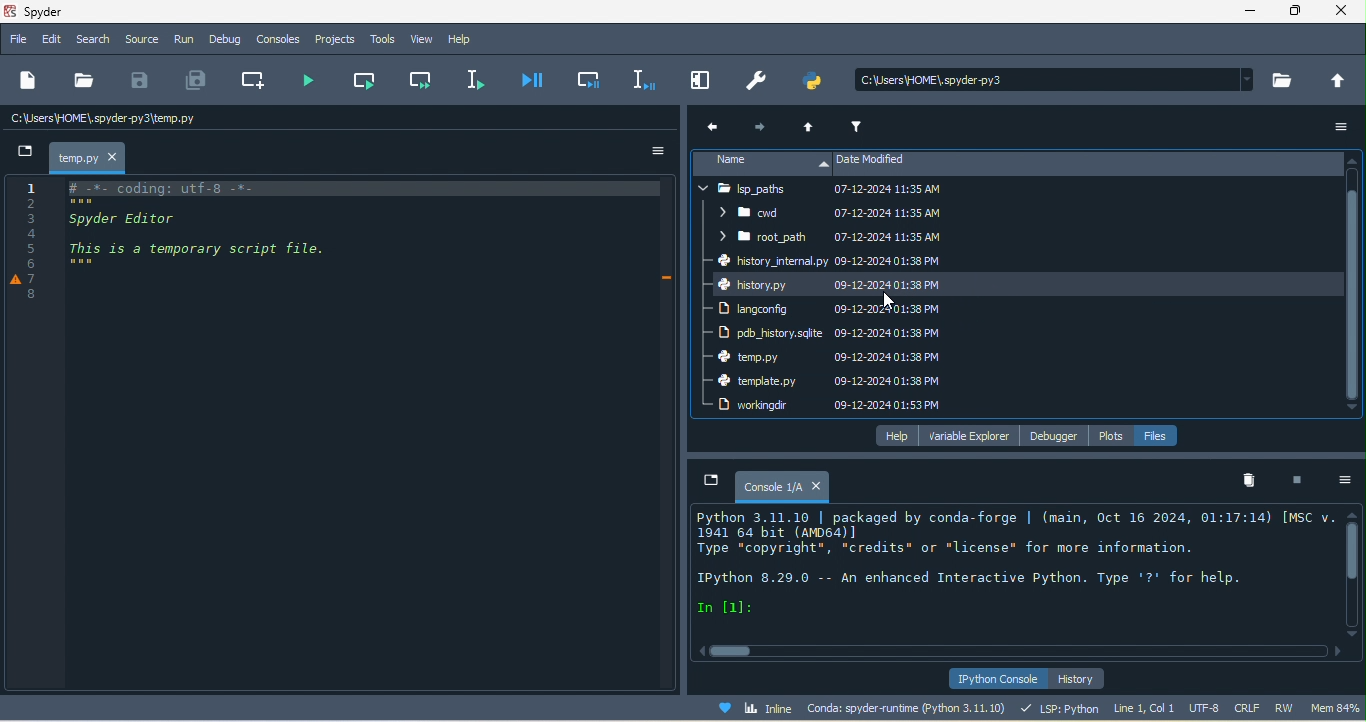 This screenshot has height=722, width=1366. What do you see at coordinates (1058, 438) in the screenshot?
I see `debugger` at bounding box center [1058, 438].